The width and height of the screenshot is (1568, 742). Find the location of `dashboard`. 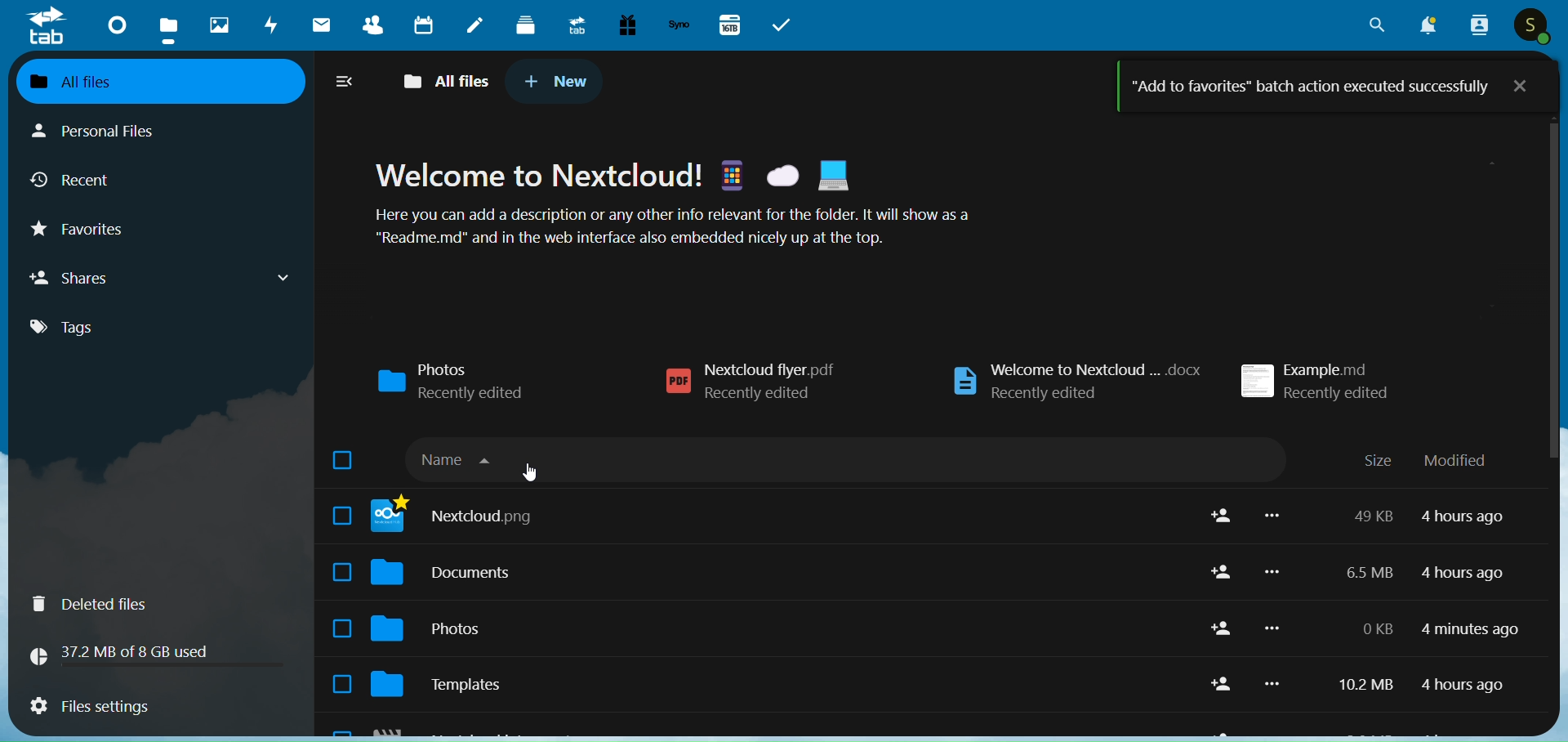

dashboard is located at coordinates (113, 26).